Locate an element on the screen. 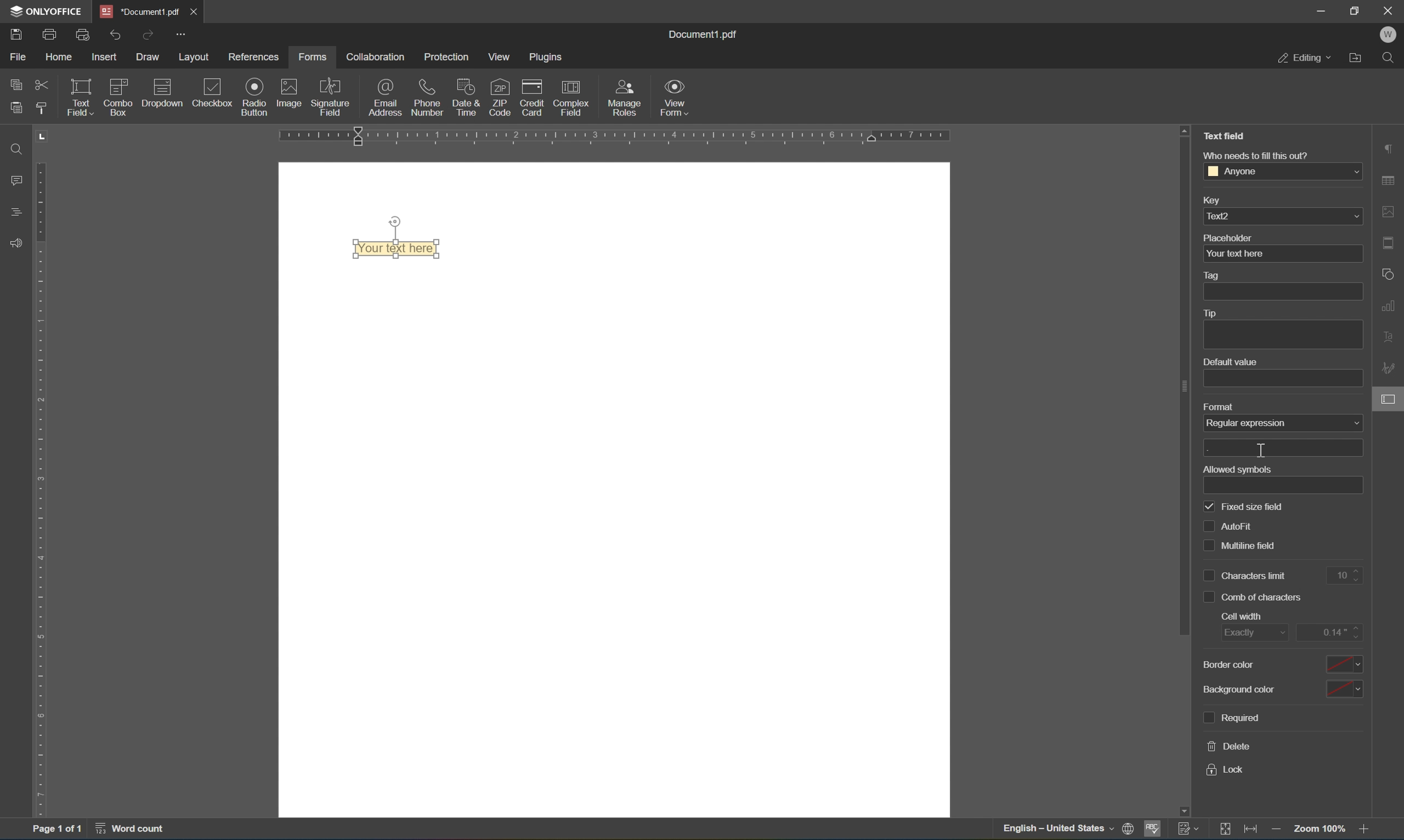 The width and height of the screenshot is (1404, 840). insert is located at coordinates (105, 54).